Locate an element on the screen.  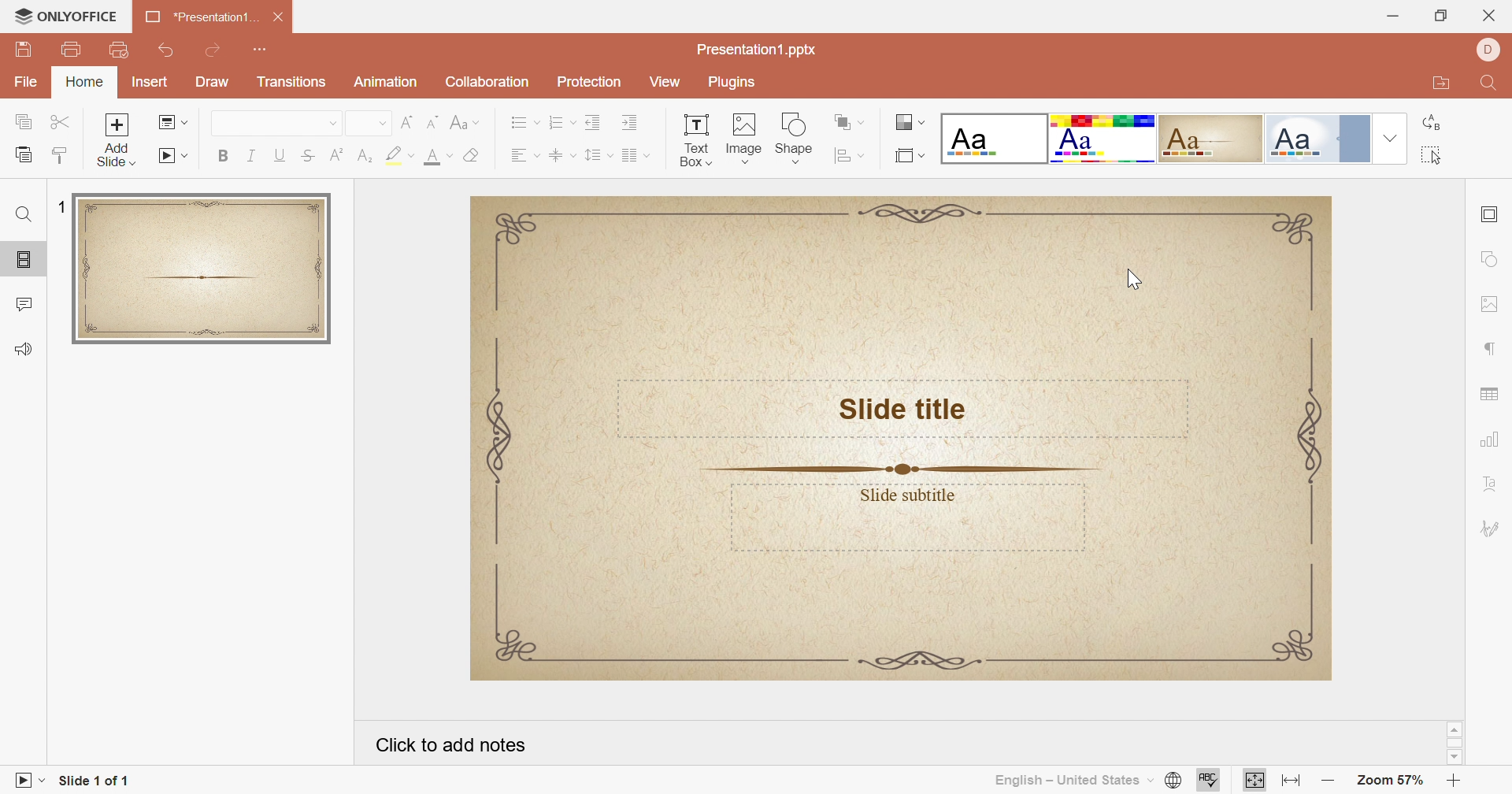
Decrease Indent is located at coordinates (595, 121).